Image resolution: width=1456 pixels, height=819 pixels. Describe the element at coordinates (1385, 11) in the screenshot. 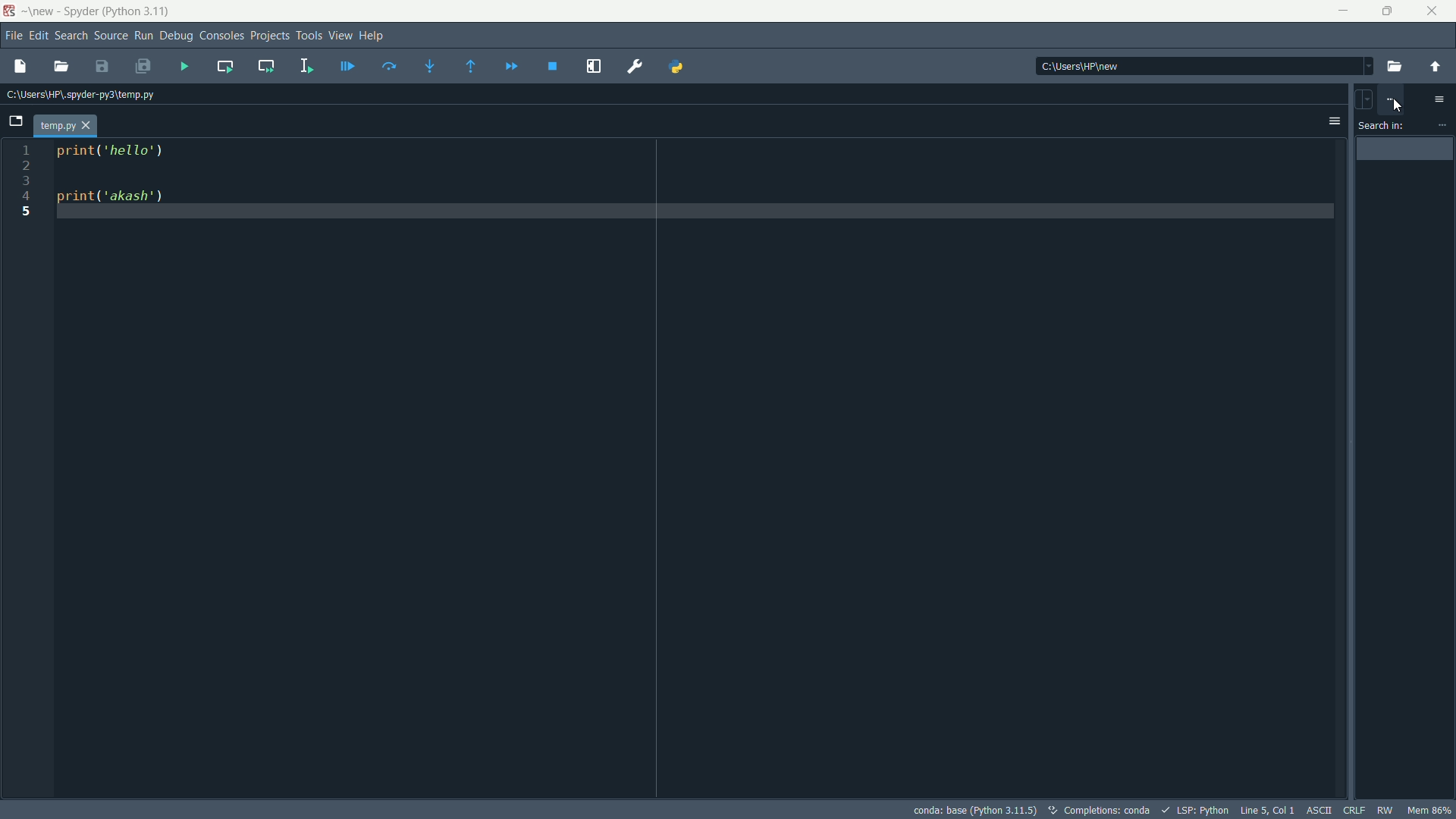

I see `Maximize` at that location.